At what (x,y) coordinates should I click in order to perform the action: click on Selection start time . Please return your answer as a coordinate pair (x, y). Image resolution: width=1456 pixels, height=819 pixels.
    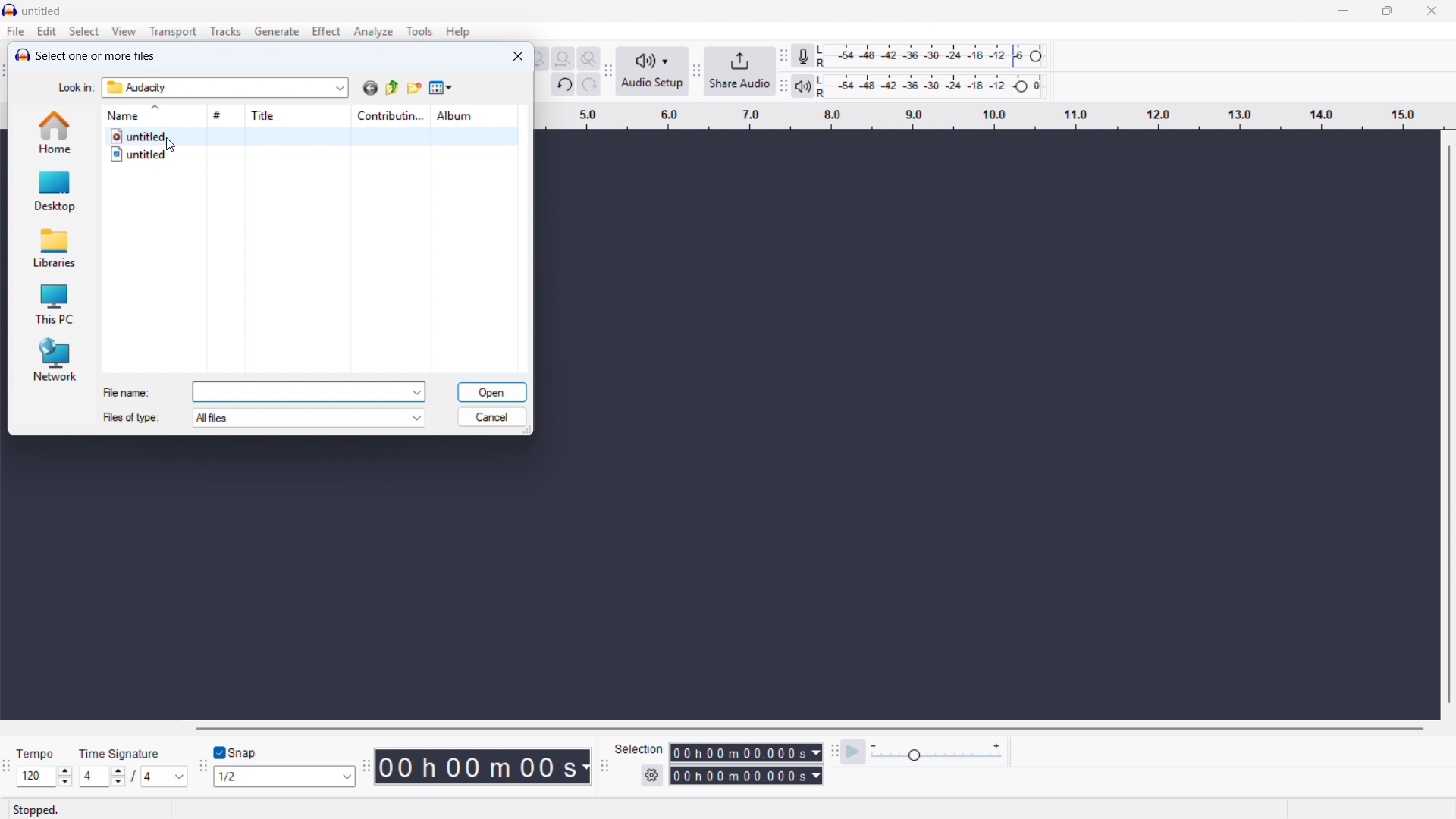
    Looking at the image, I should click on (747, 753).